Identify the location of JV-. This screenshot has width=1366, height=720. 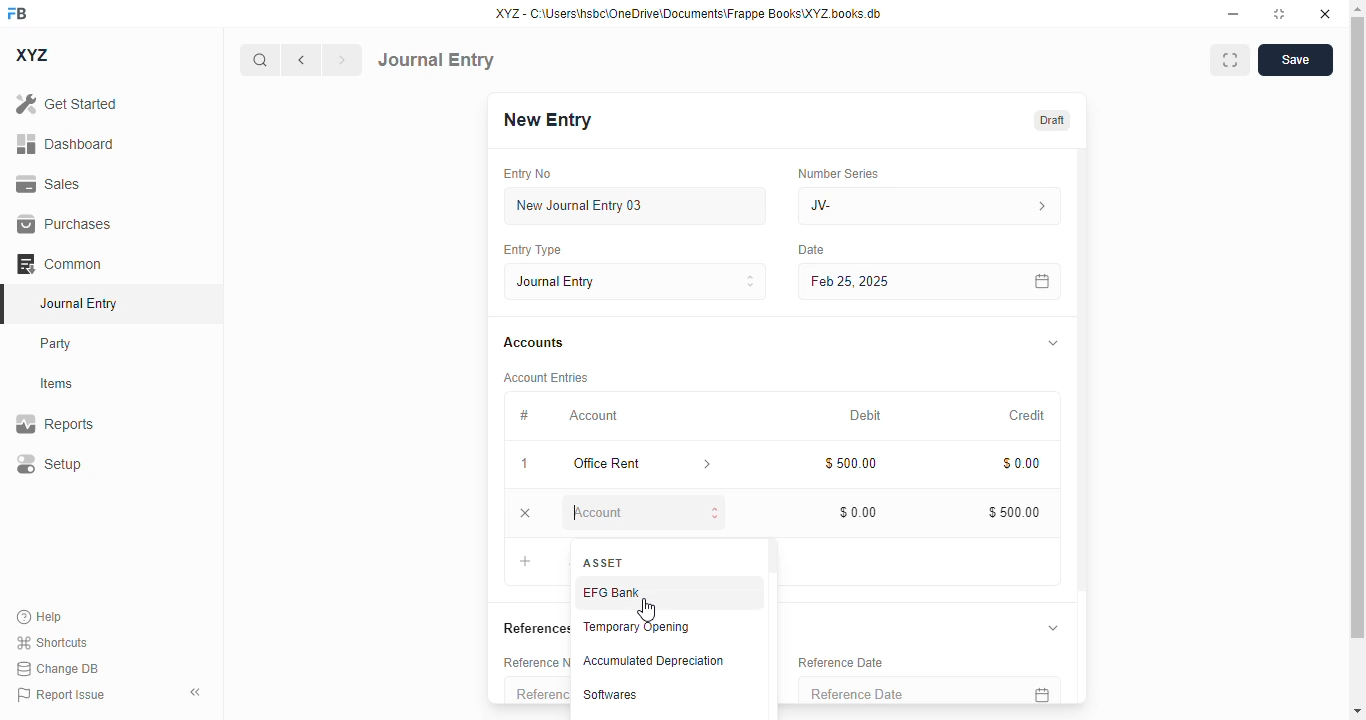
(882, 206).